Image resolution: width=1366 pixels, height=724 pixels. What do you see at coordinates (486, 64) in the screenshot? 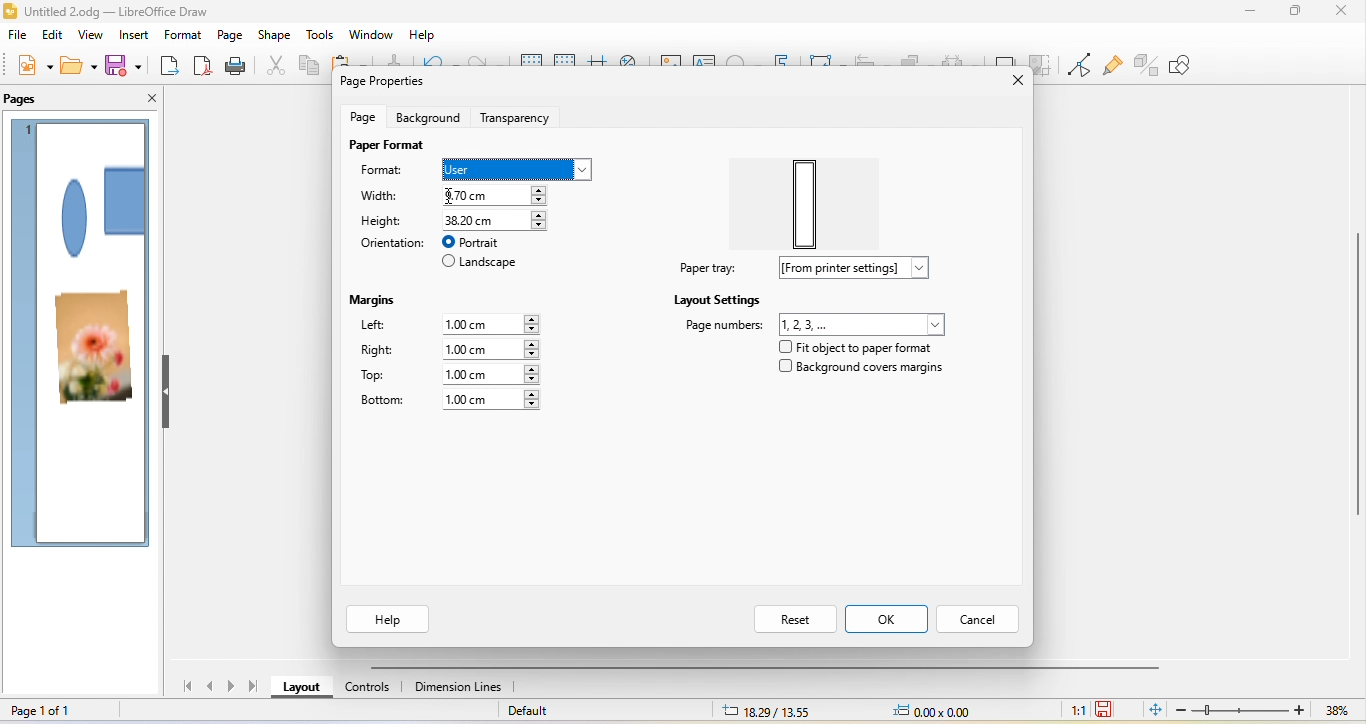
I see `redo` at bounding box center [486, 64].